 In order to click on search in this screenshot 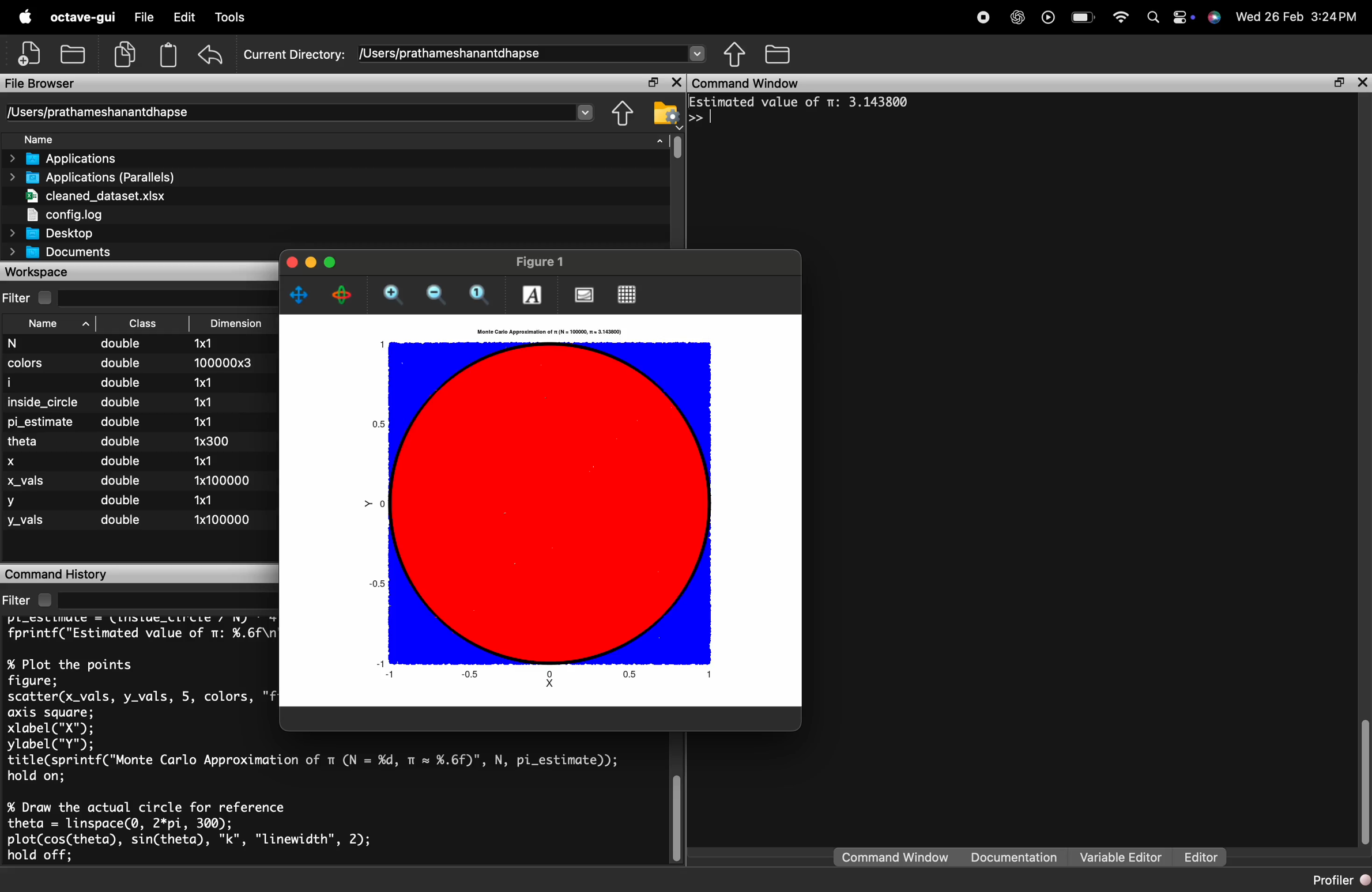, I will do `click(1151, 18)`.